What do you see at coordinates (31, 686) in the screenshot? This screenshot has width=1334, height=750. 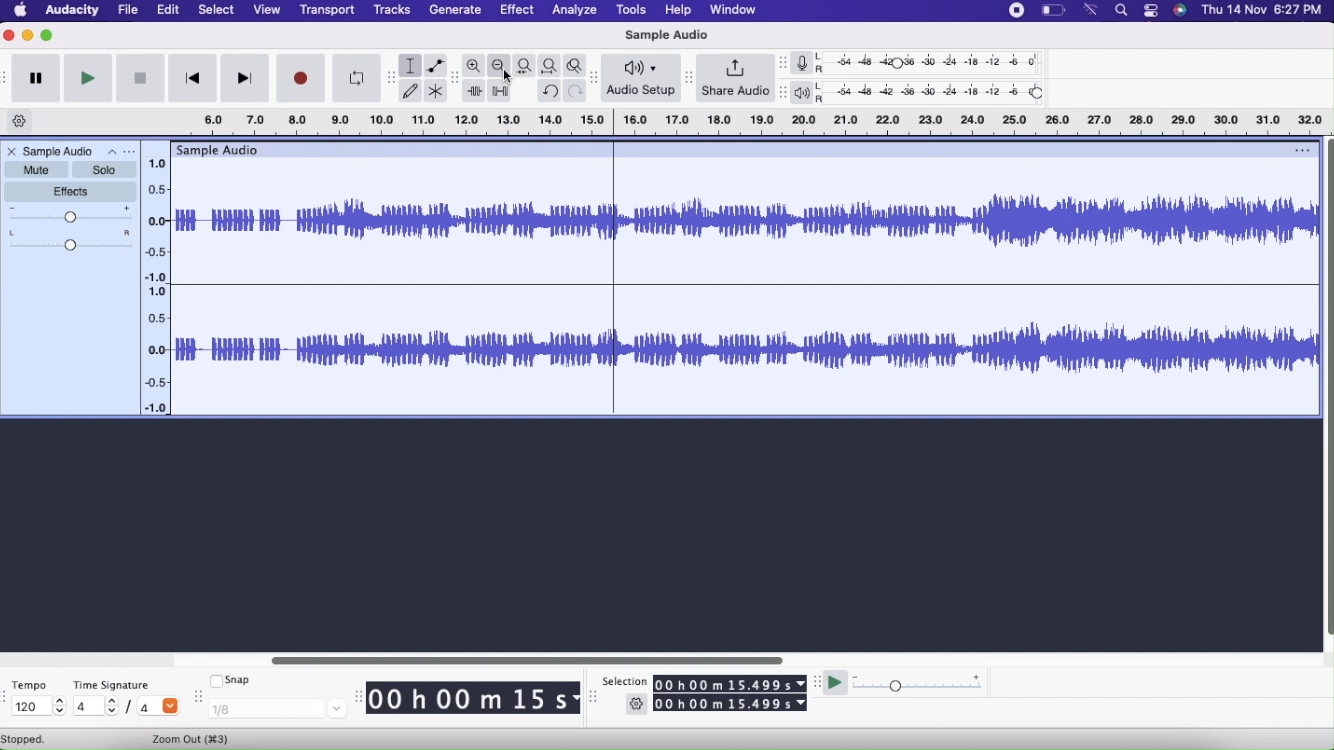 I see `Tempo` at bounding box center [31, 686].